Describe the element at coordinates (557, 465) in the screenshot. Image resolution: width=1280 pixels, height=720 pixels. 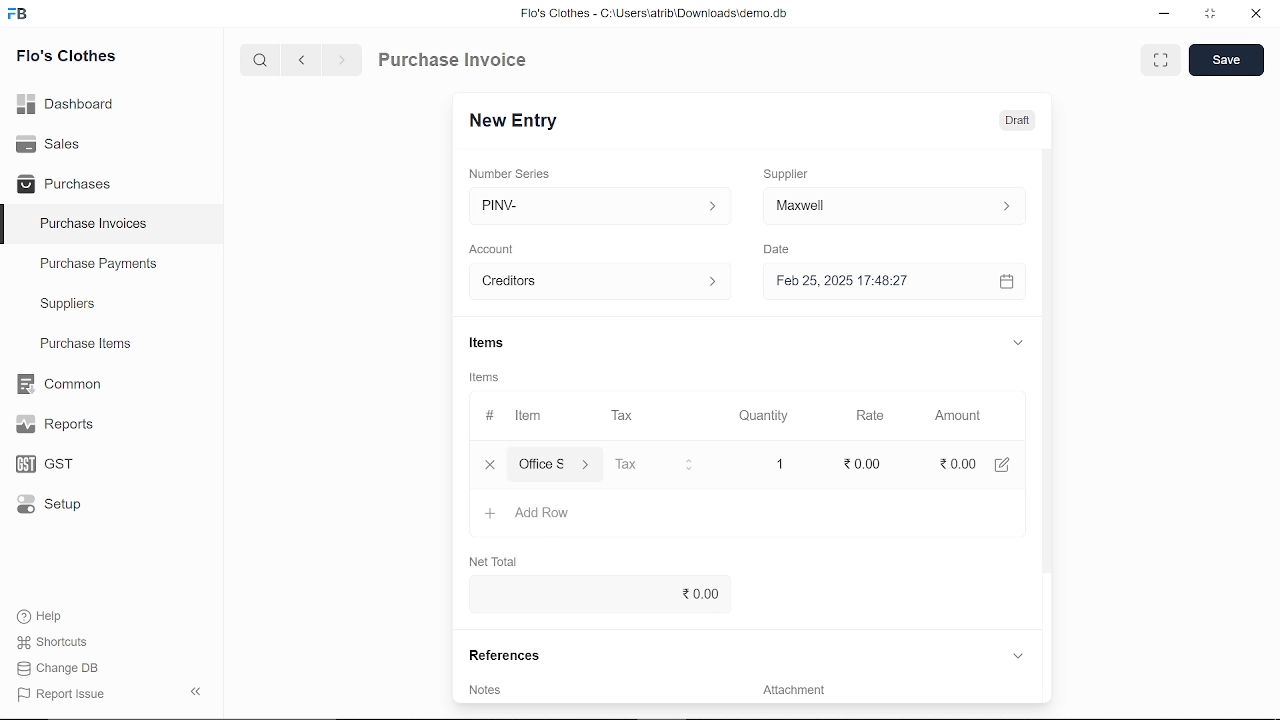
I see `Office supplies` at that location.